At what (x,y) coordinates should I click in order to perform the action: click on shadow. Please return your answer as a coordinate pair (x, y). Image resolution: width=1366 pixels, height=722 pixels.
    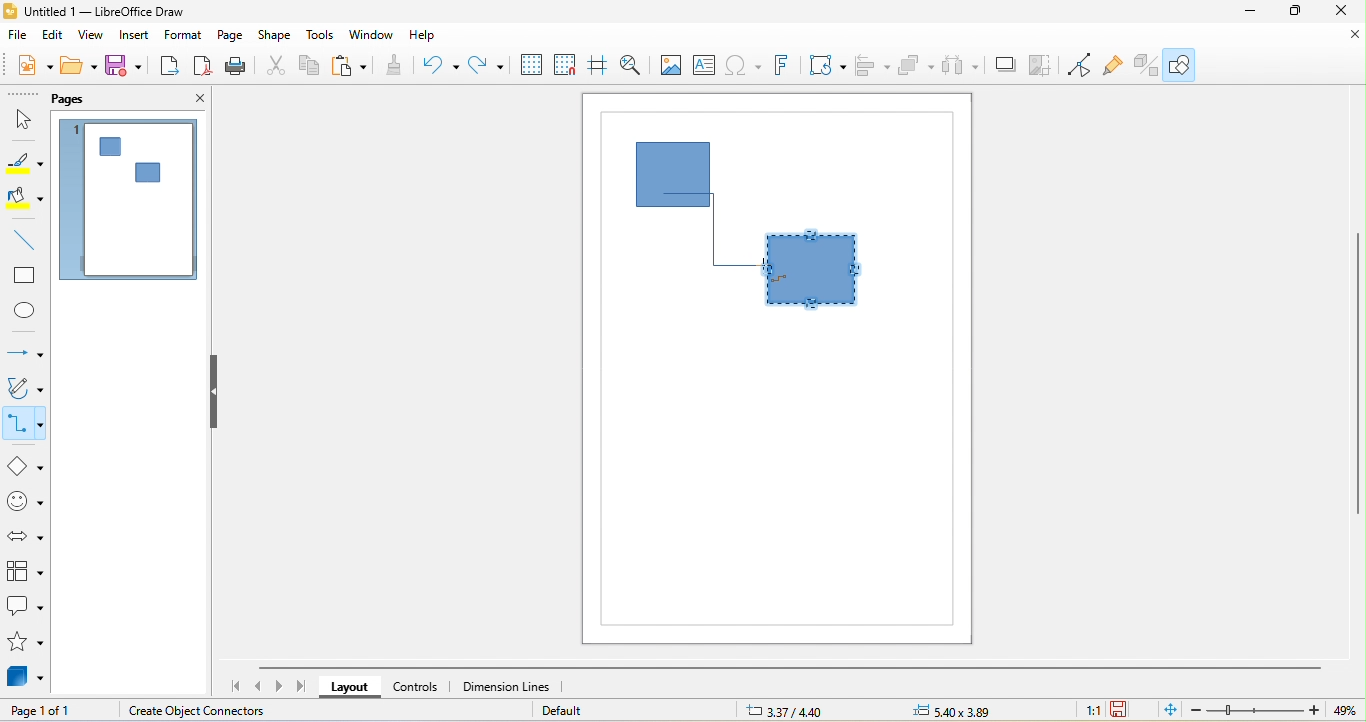
    Looking at the image, I should click on (1003, 66).